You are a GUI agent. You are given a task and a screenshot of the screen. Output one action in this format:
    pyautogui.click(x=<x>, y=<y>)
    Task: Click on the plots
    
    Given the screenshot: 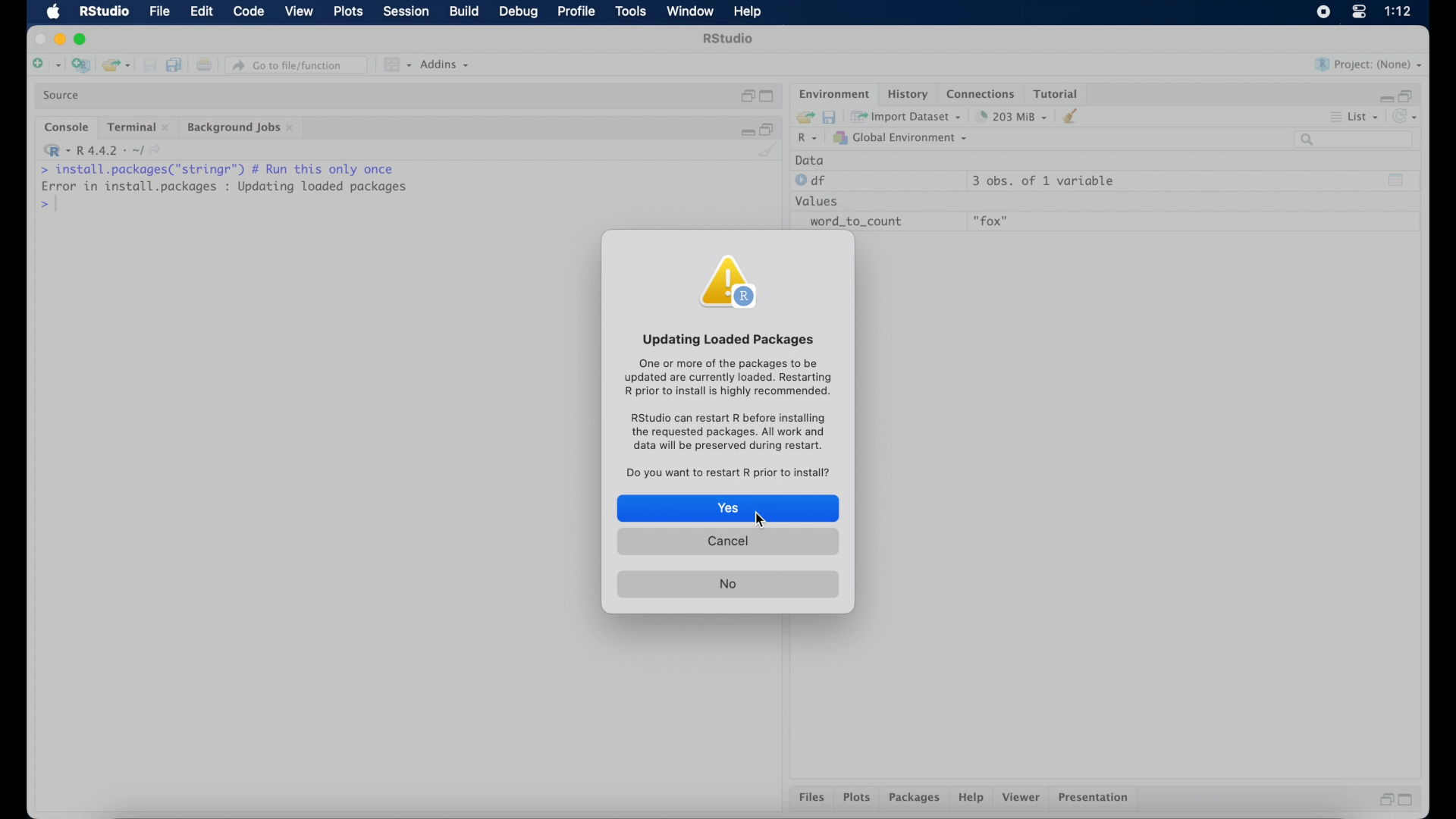 What is the action you would take?
    pyautogui.click(x=350, y=12)
    